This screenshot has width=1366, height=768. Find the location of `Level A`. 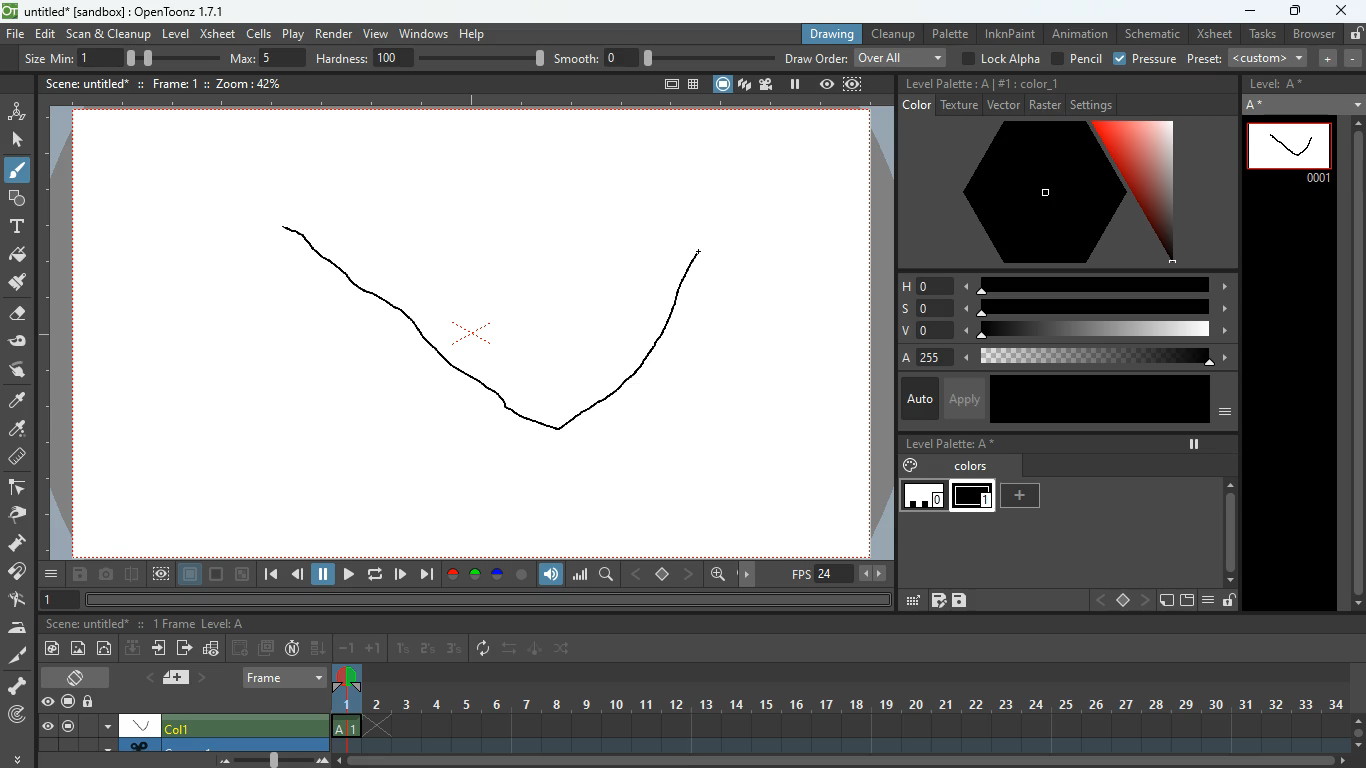

Level A is located at coordinates (223, 624).